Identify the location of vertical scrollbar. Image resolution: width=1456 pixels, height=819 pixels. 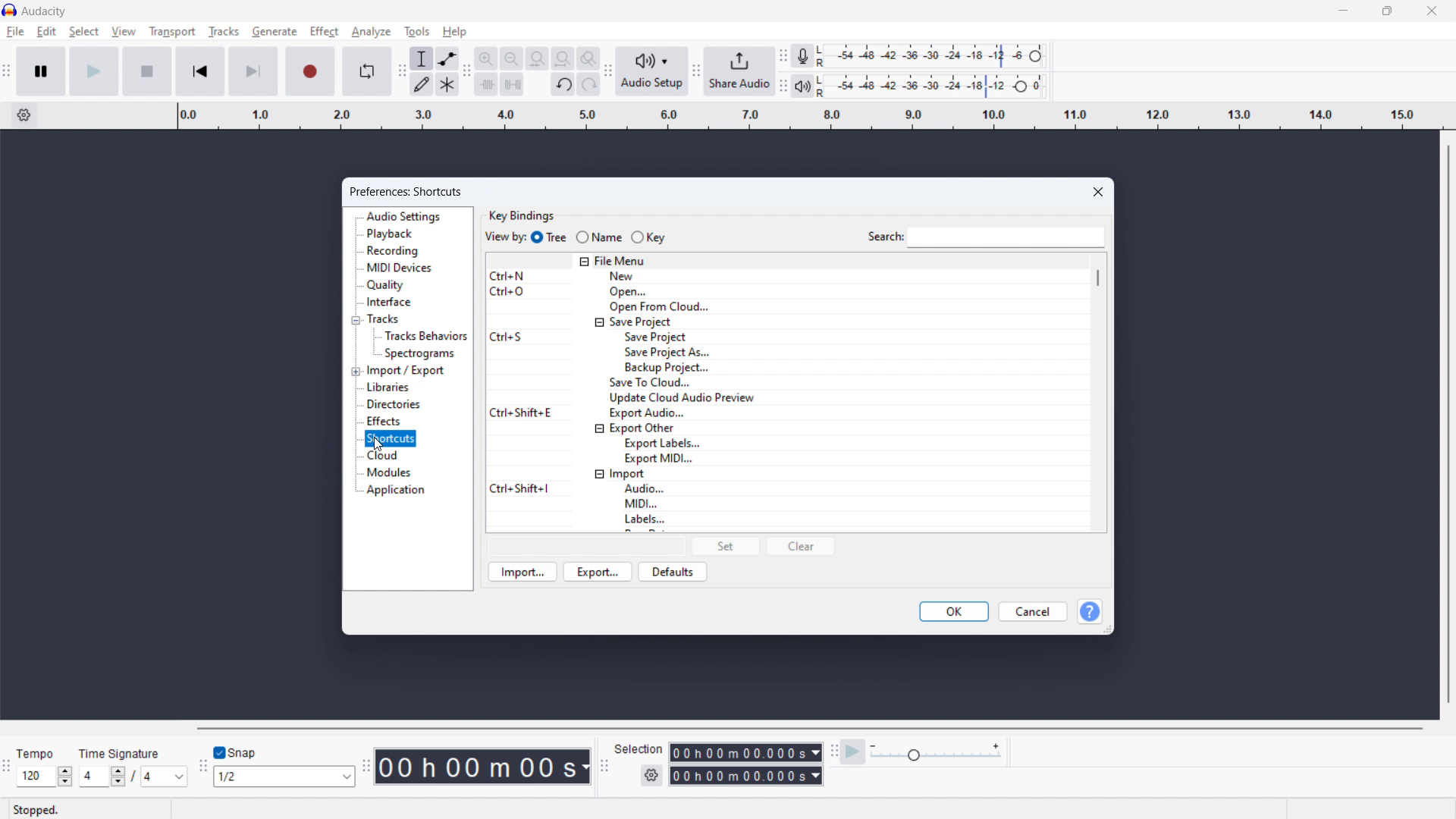
(1450, 424).